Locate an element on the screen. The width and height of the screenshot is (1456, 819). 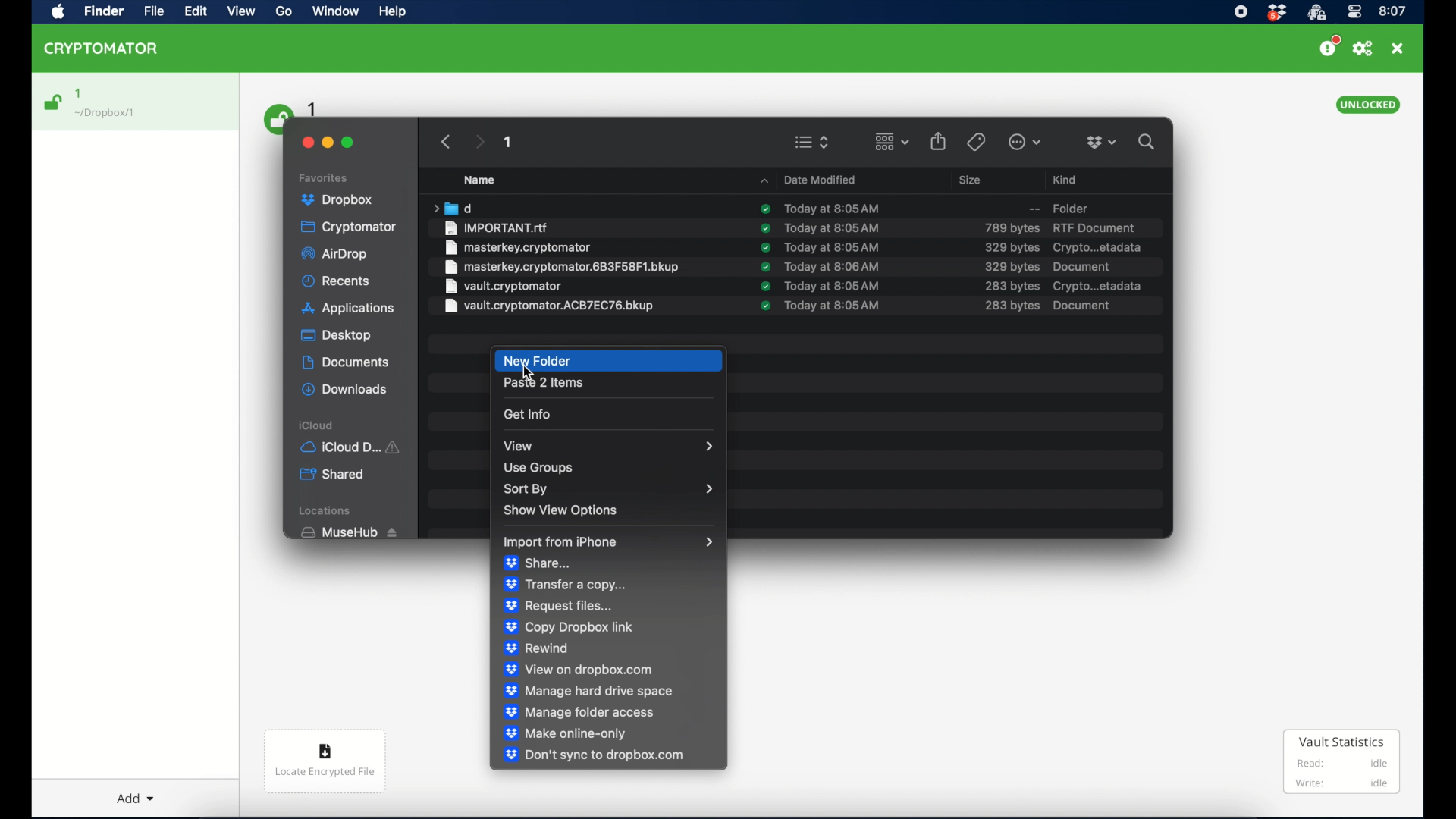
Help is located at coordinates (394, 14).